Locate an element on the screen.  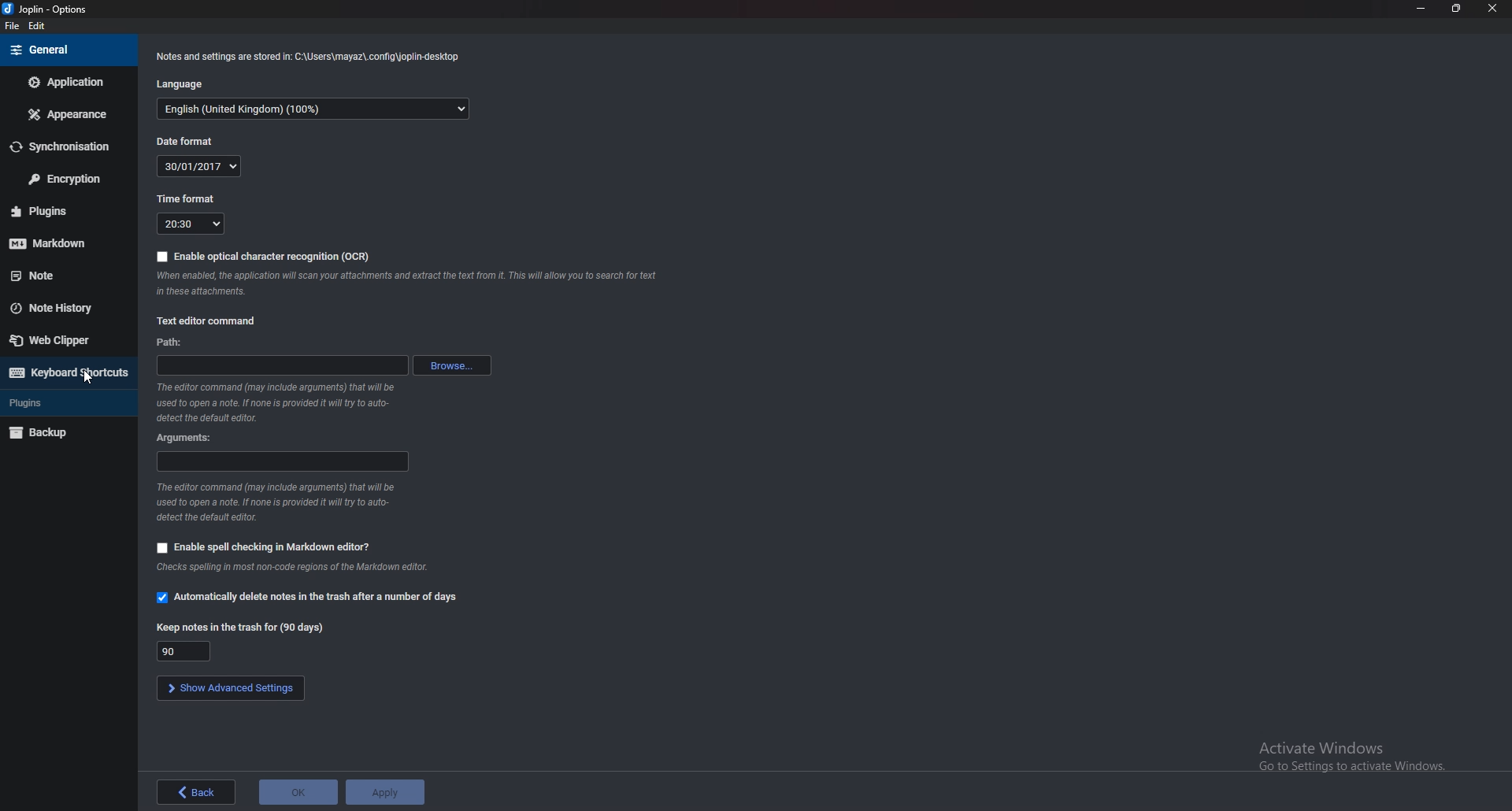
Keyboard shortcuts is located at coordinates (68, 373).